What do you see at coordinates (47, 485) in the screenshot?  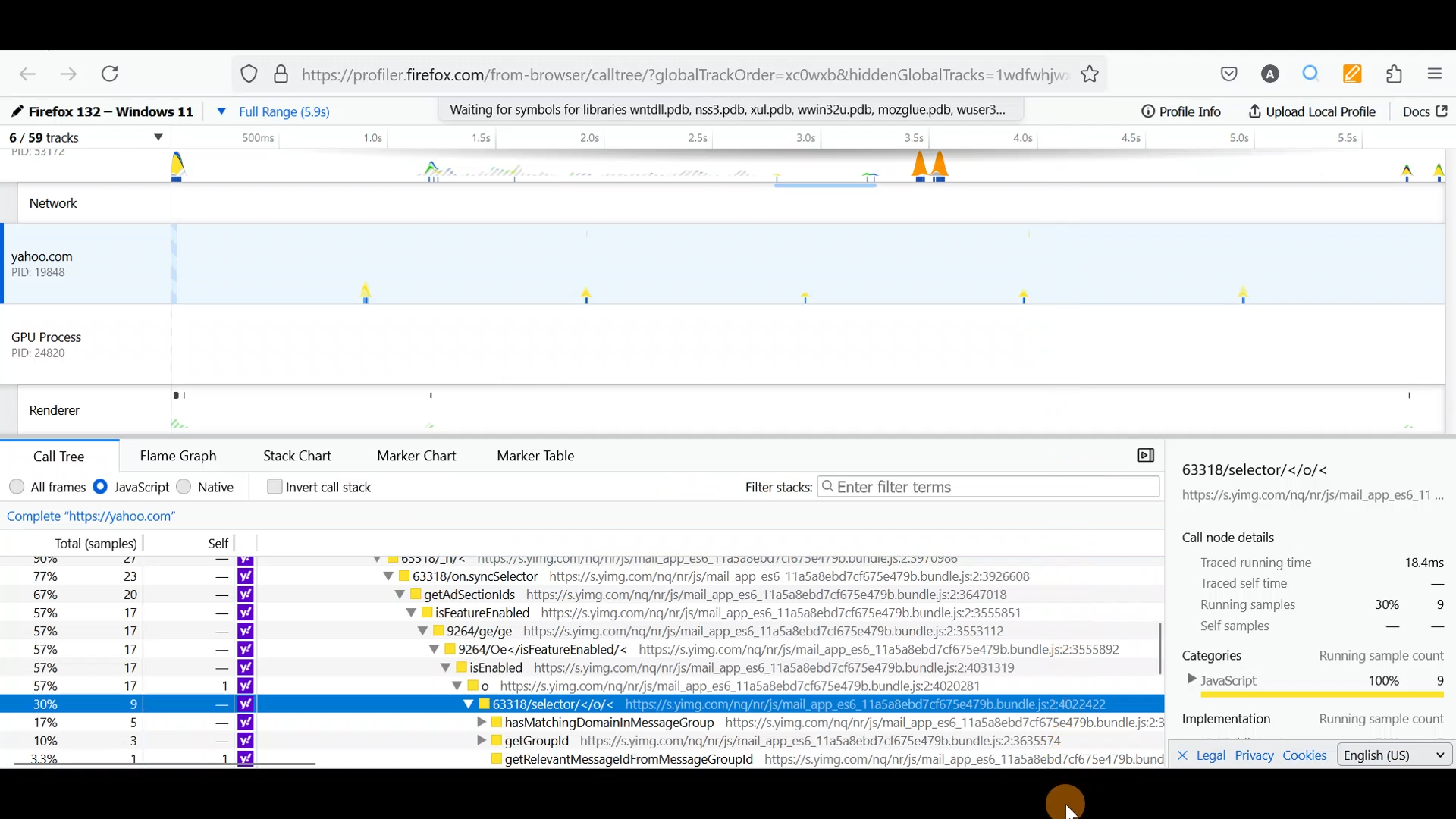 I see `All frames` at bounding box center [47, 485].